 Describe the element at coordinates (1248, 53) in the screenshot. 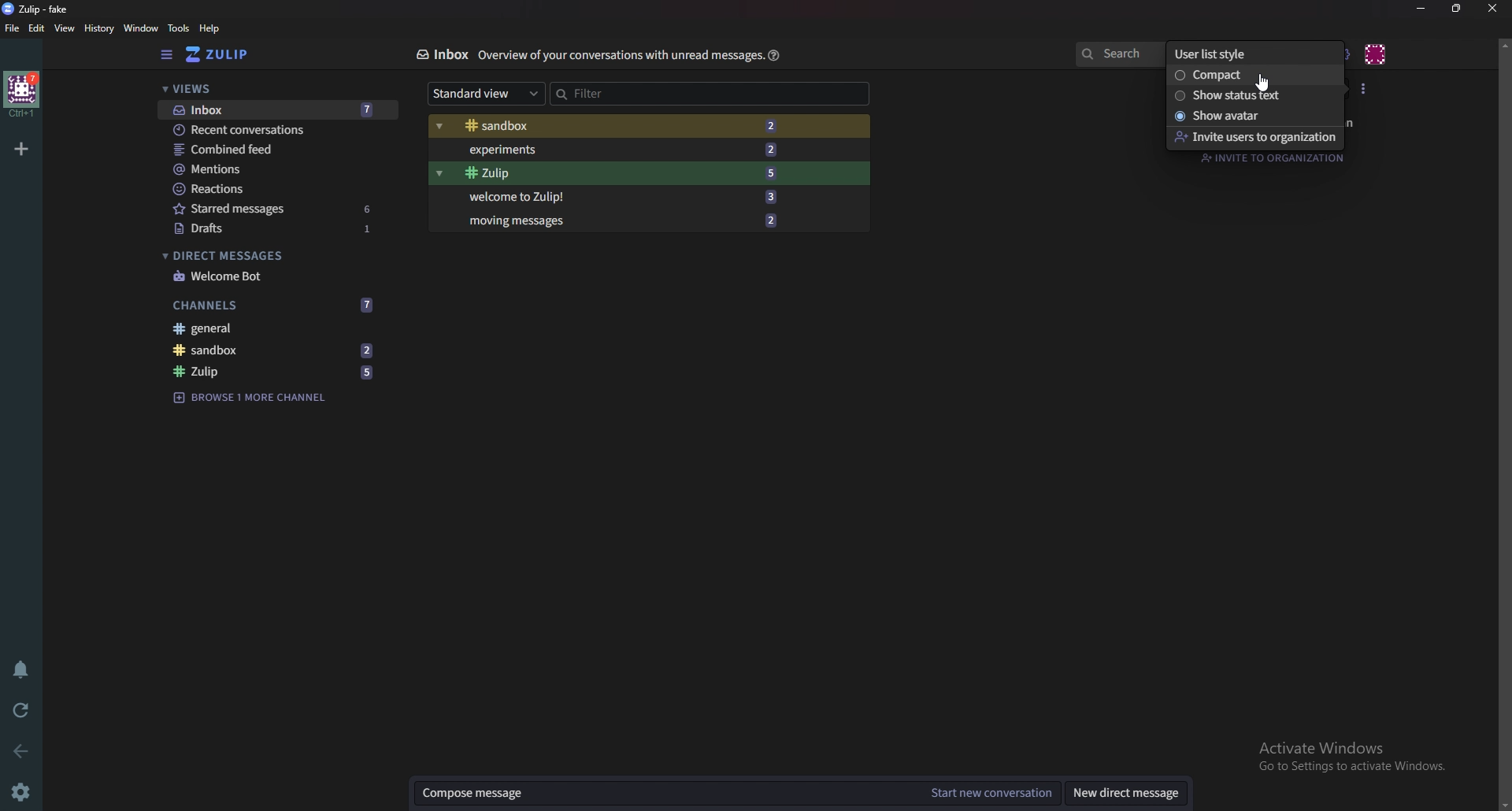

I see `User list style` at that location.